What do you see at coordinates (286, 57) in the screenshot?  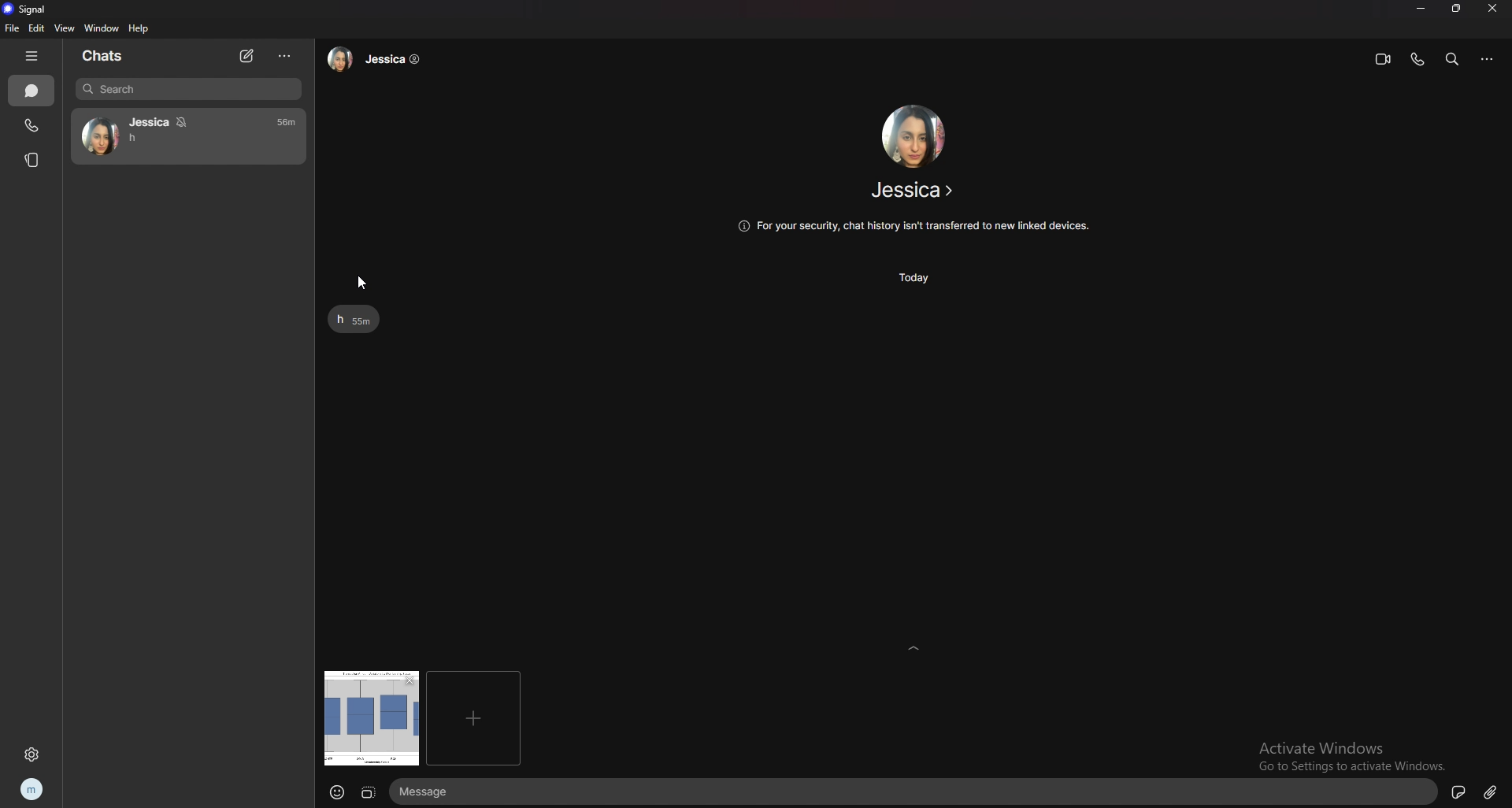 I see `options` at bounding box center [286, 57].